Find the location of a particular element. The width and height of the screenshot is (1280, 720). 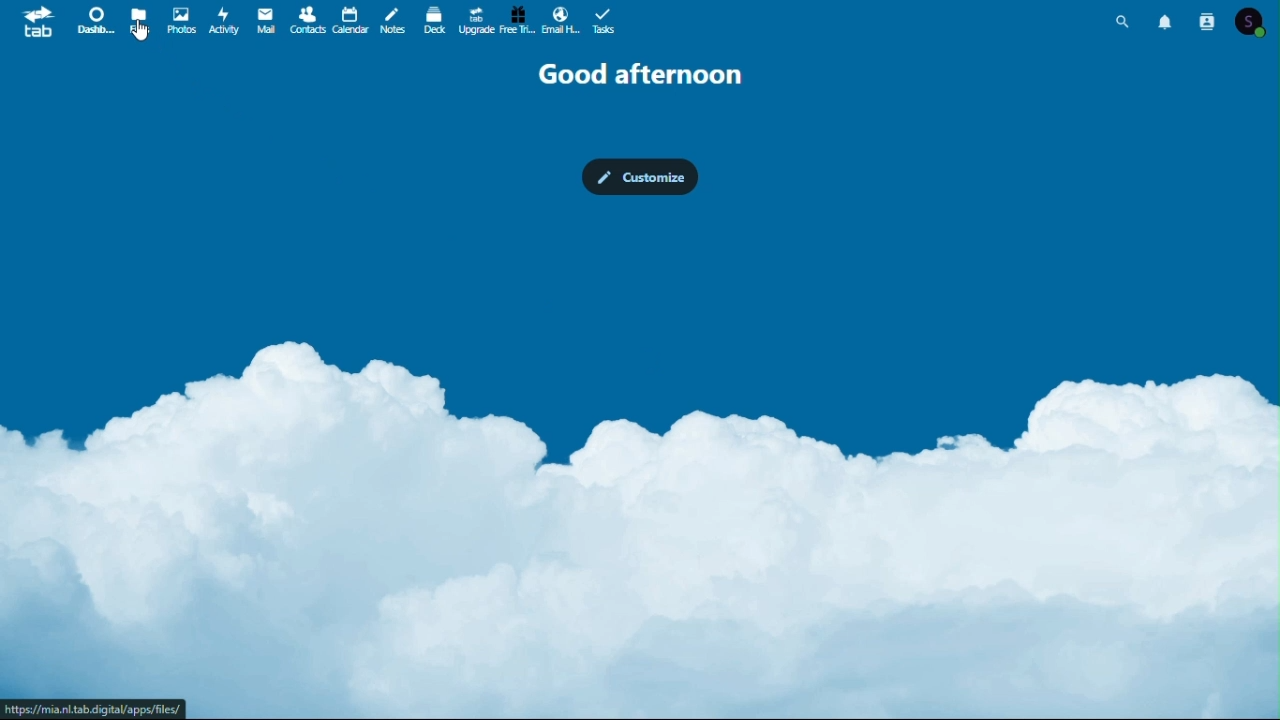

Contacts is located at coordinates (1205, 20).